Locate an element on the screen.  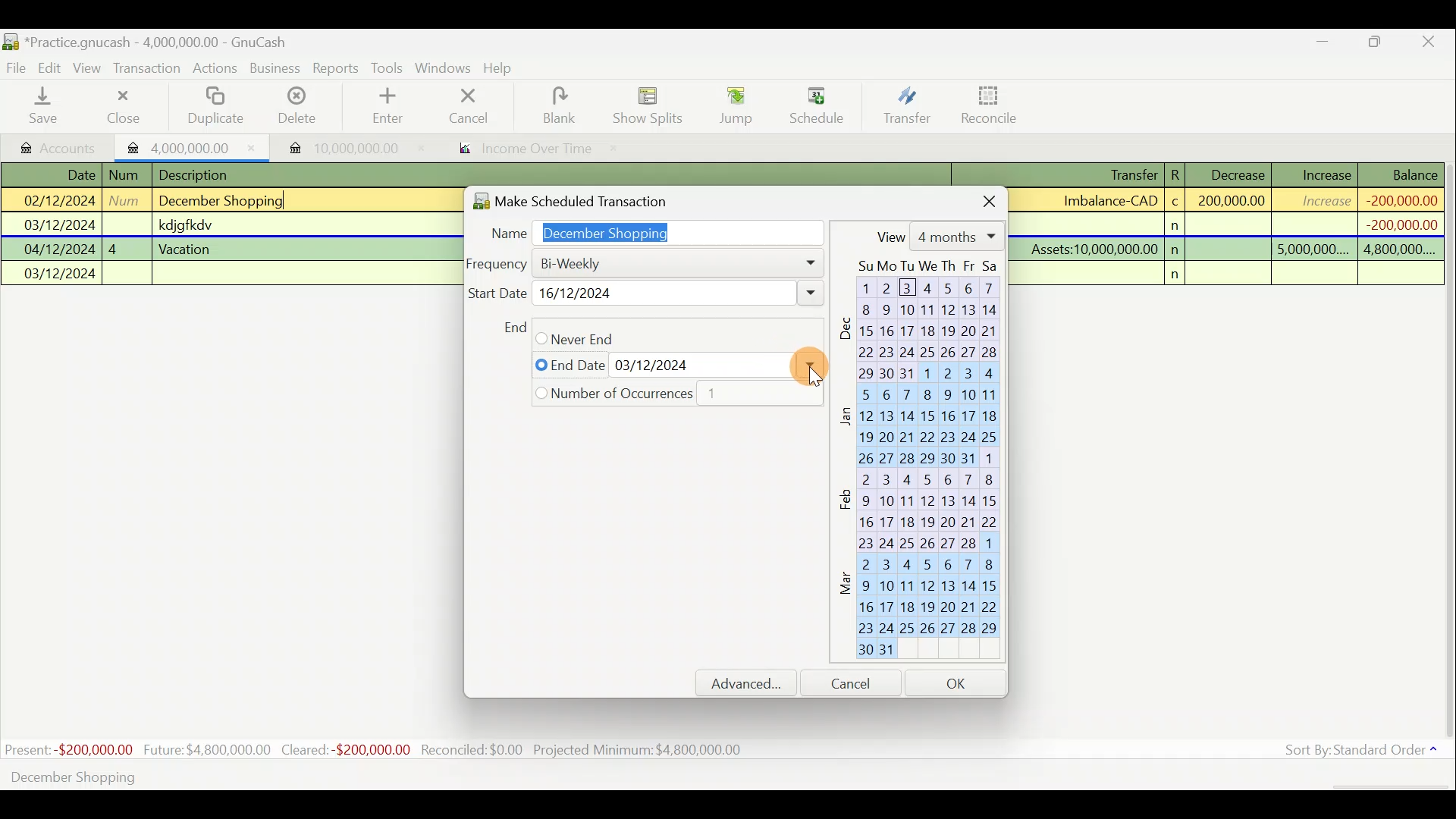
Daily is located at coordinates (607, 262).